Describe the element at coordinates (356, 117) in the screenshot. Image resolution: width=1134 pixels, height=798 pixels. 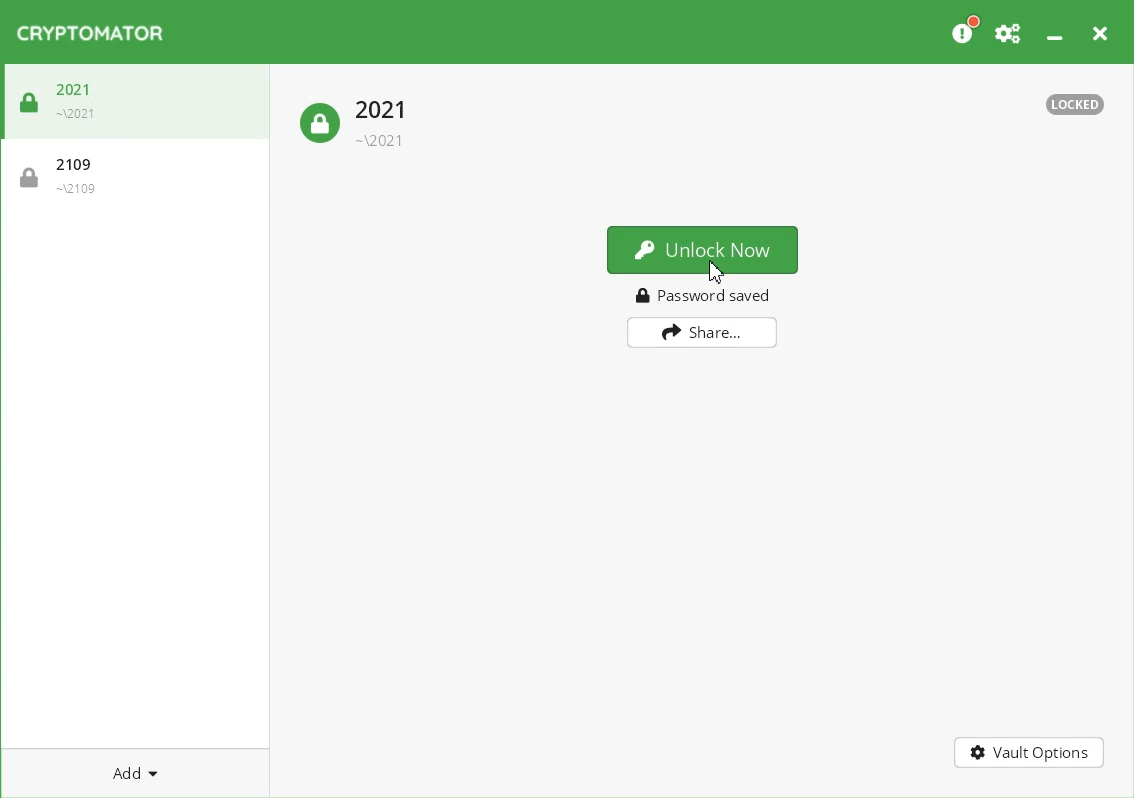
I see `Lock Vault - 2021` at that location.